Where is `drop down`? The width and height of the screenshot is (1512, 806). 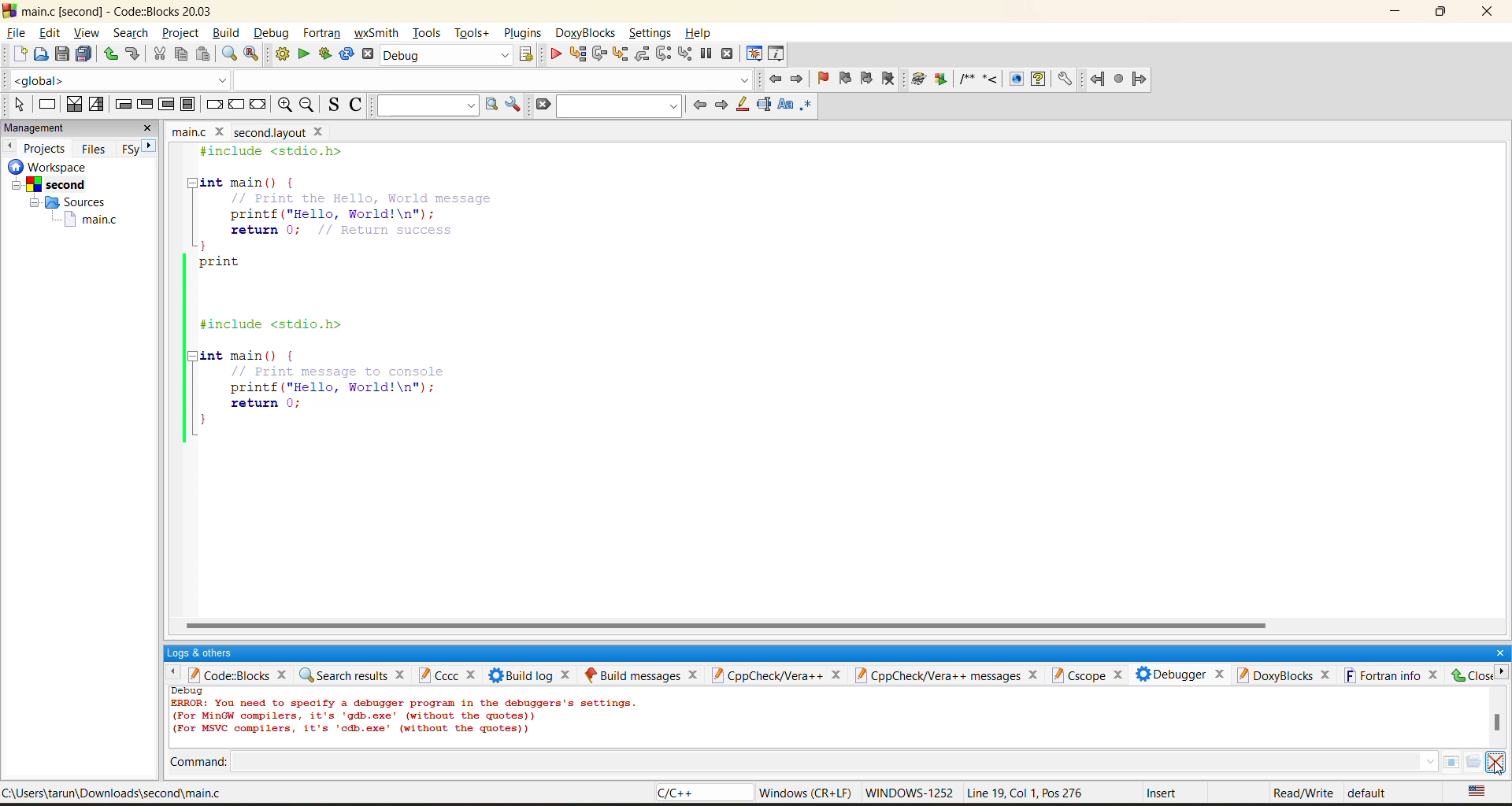 drop down is located at coordinates (1433, 764).